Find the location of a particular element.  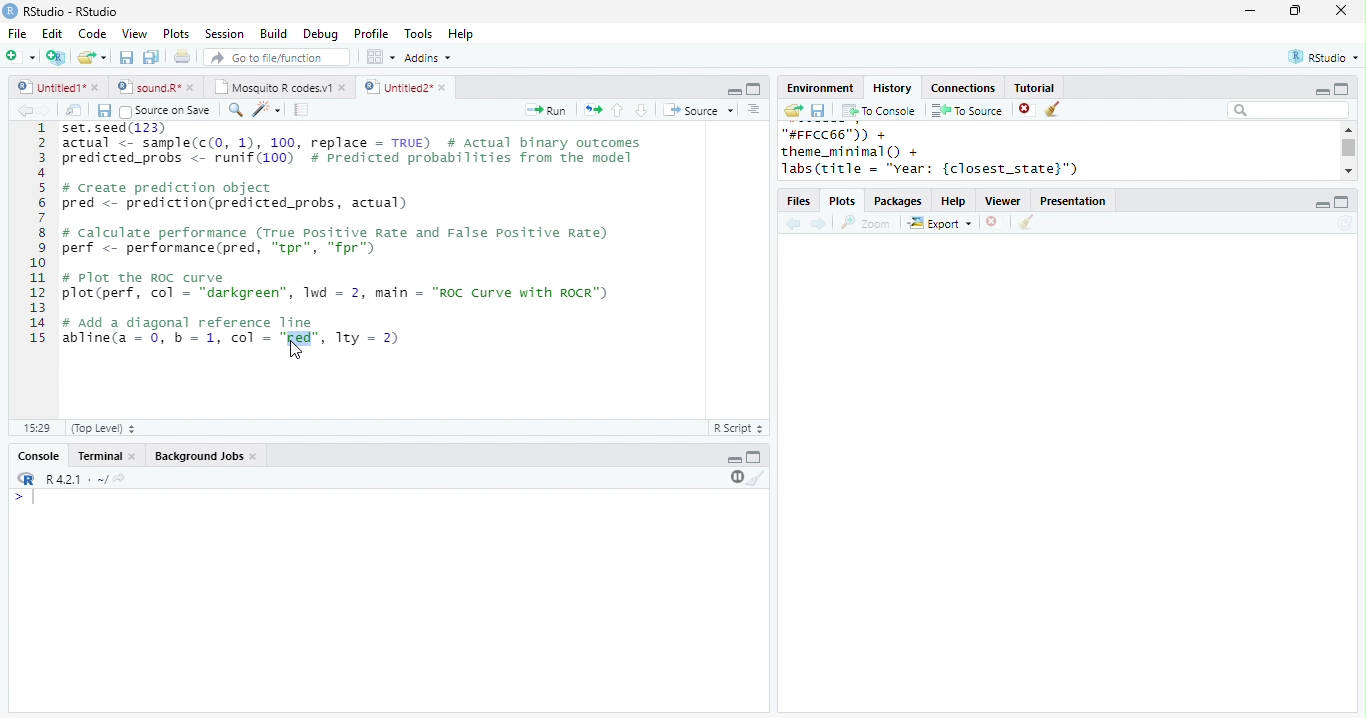

backward is located at coordinates (24, 110).